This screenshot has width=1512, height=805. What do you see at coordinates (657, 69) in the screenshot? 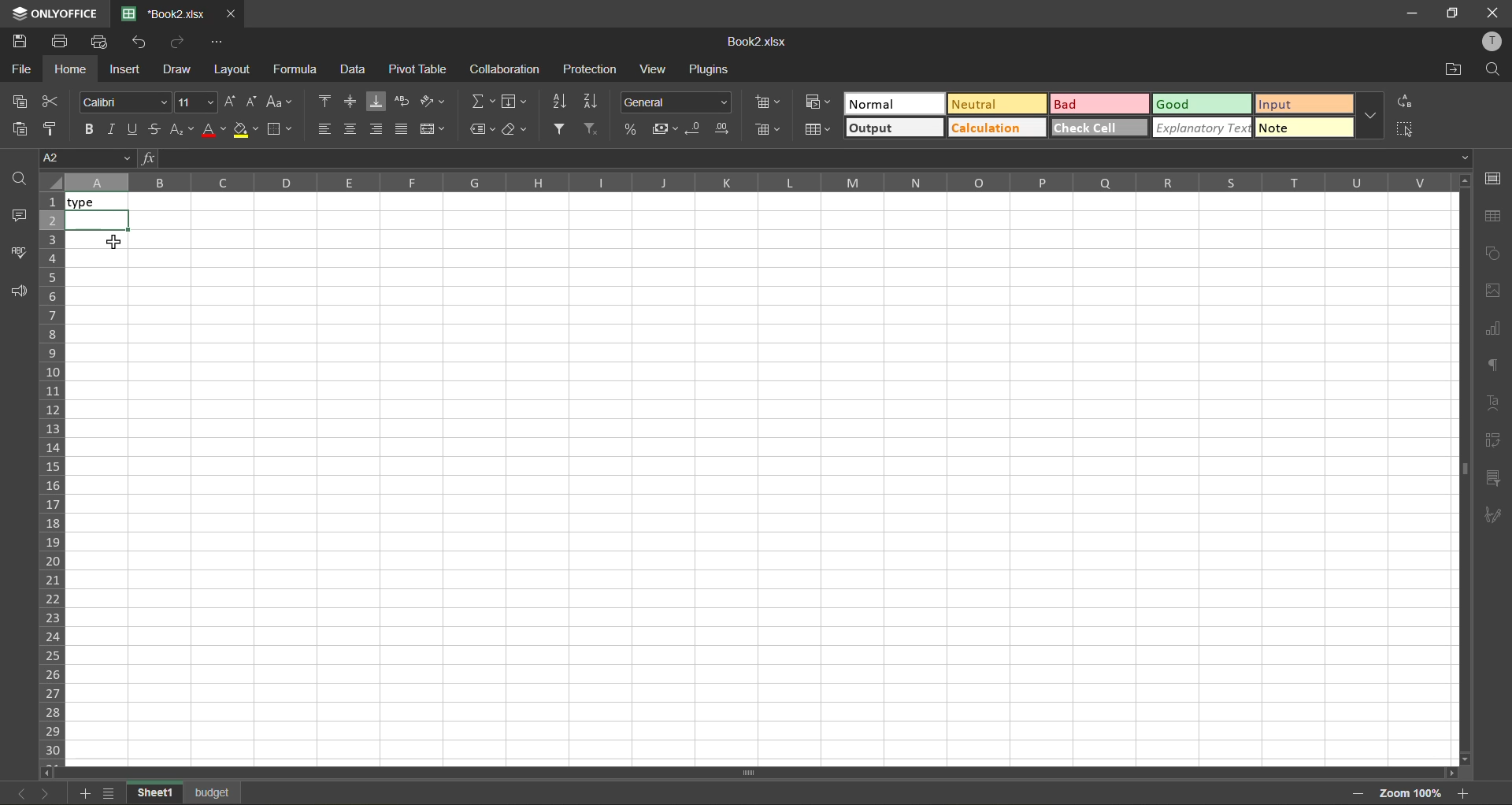
I see `view` at bounding box center [657, 69].